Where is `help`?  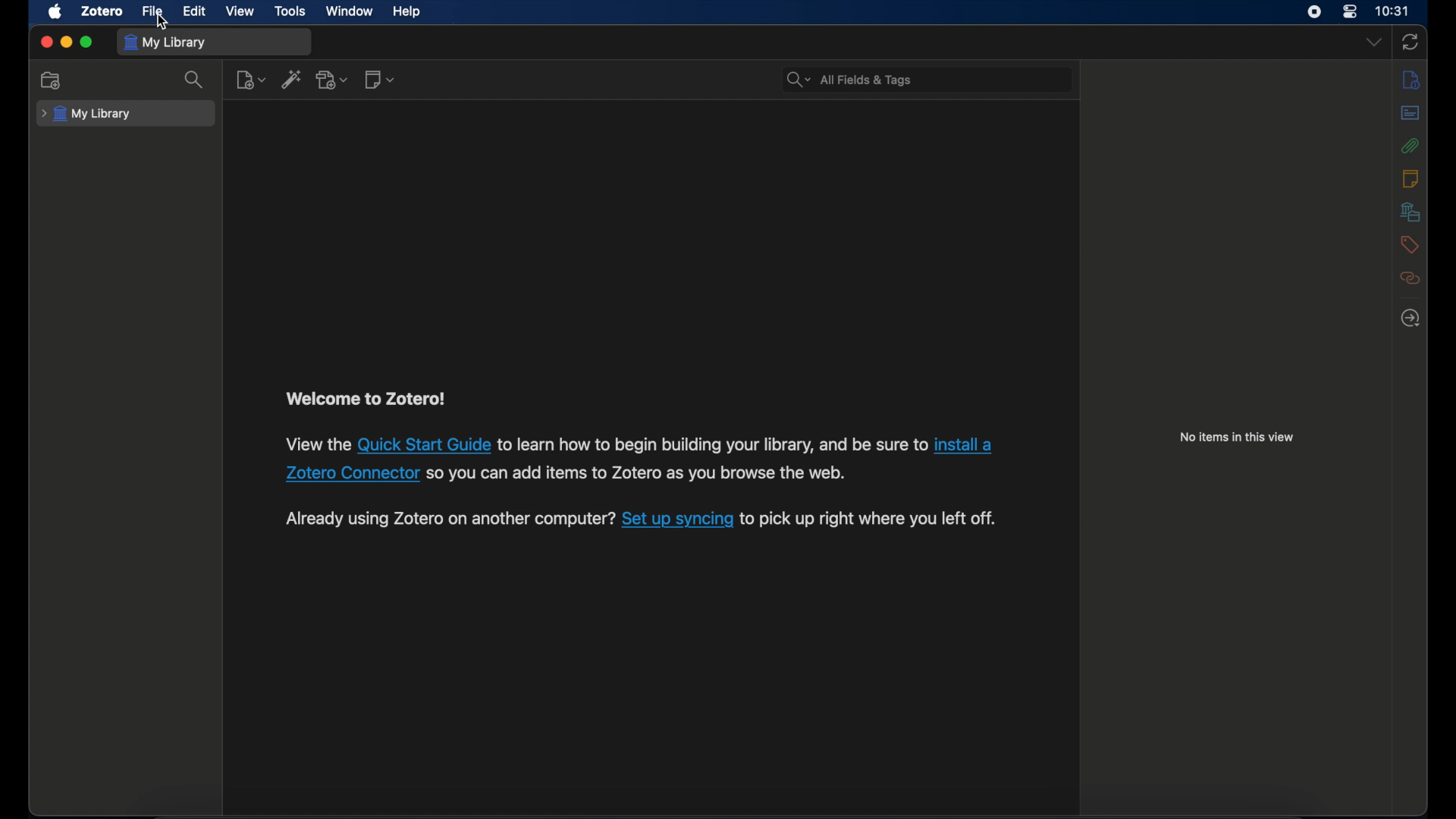 help is located at coordinates (406, 12).